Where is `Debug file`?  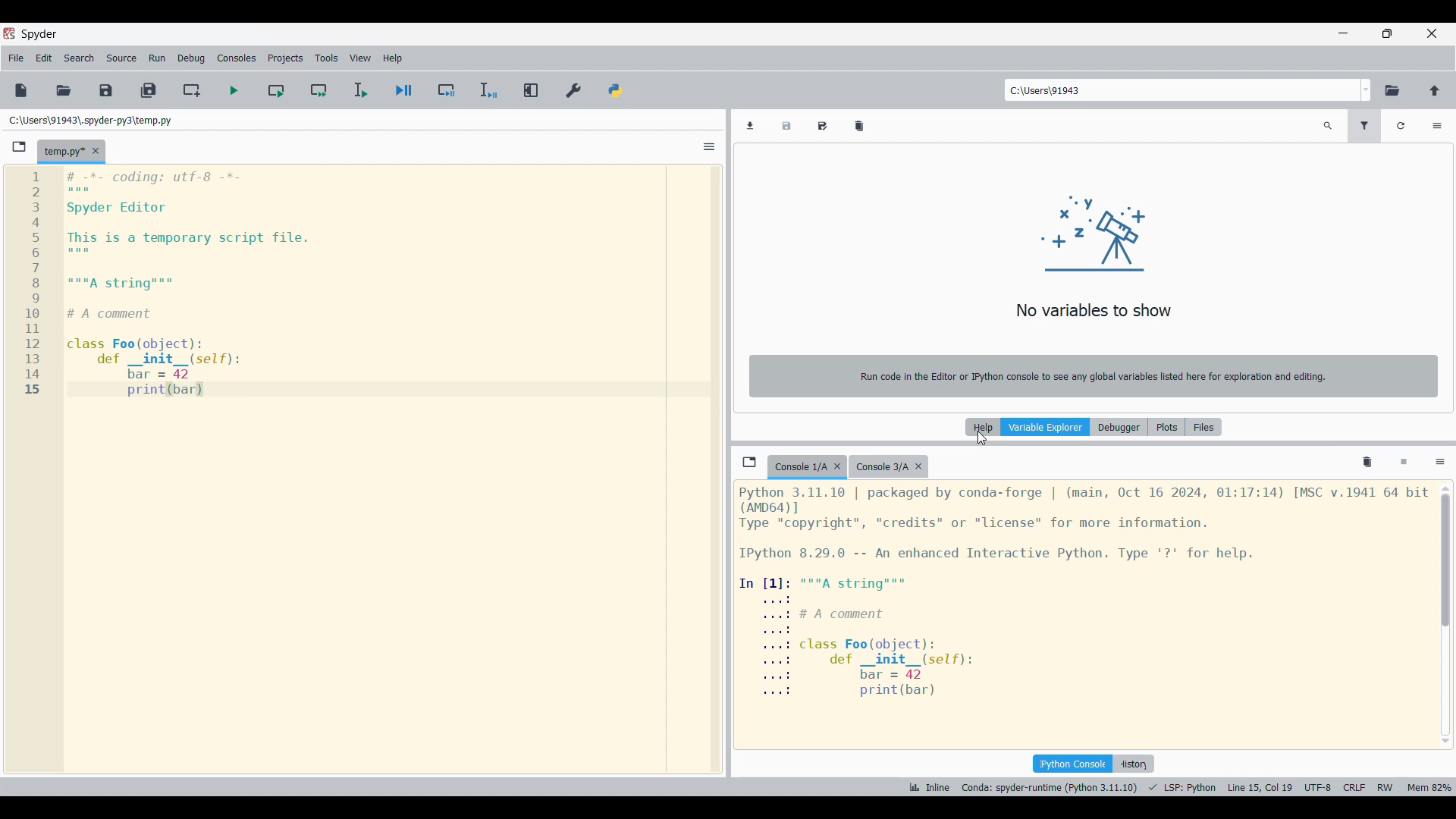
Debug file is located at coordinates (403, 90).